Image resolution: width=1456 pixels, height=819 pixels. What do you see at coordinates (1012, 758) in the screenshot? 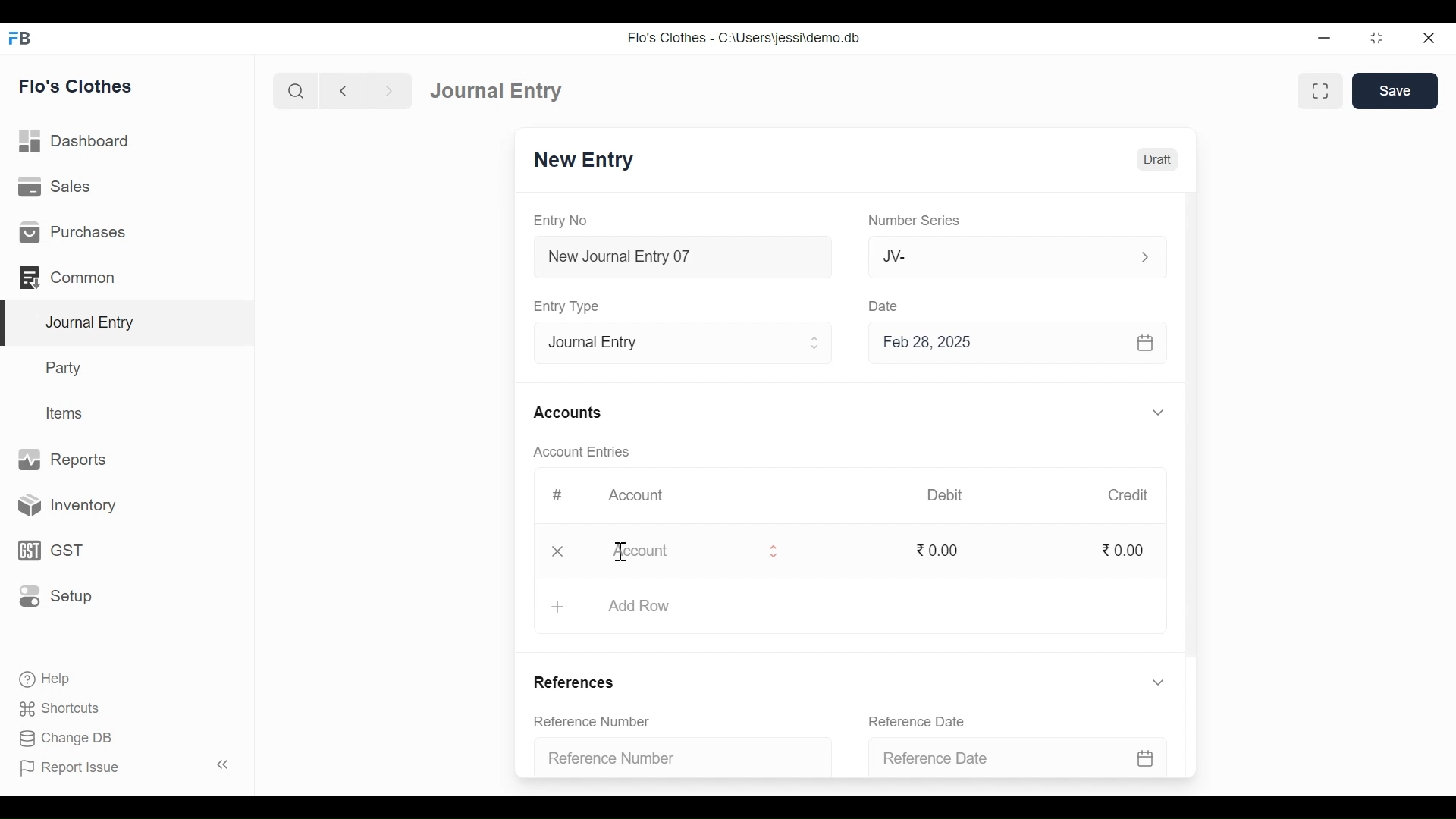
I see `Reference Date` at bounding box center [1012, 758].